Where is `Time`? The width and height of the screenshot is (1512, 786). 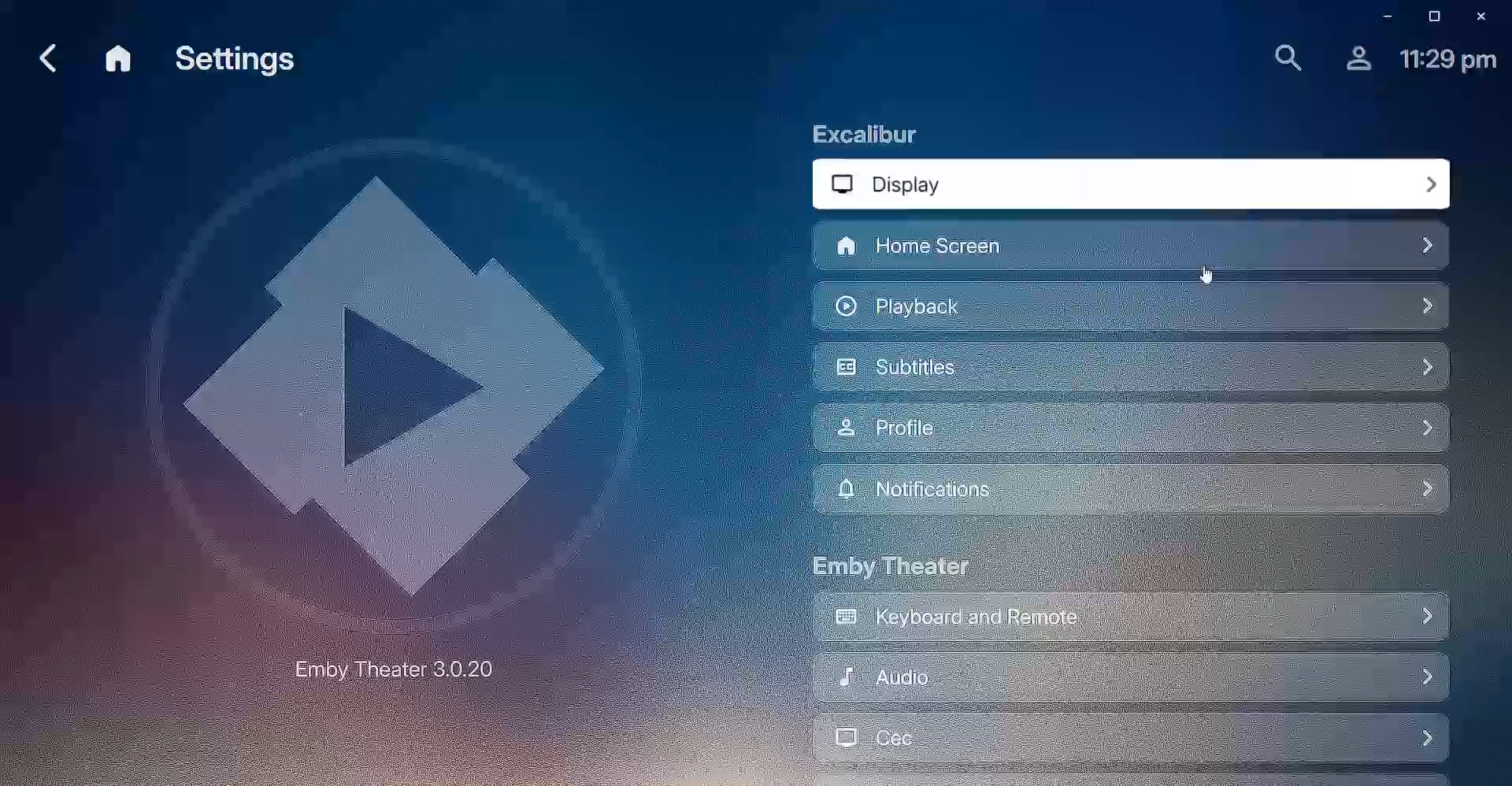 Time is located at coordinates (1448, 61).